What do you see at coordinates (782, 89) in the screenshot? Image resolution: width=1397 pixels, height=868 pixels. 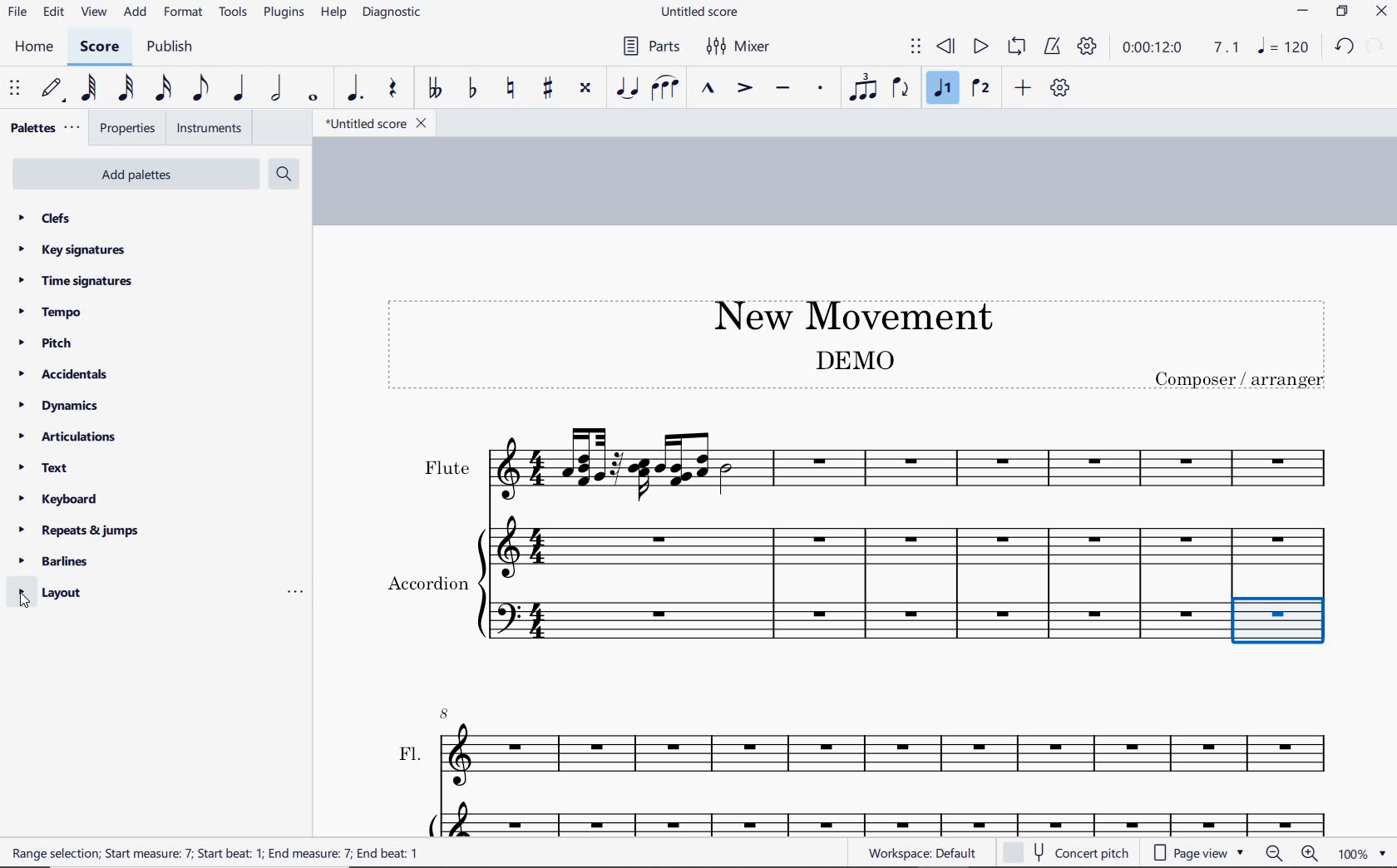 I see `tenuto` at bounding box center [782, 89].